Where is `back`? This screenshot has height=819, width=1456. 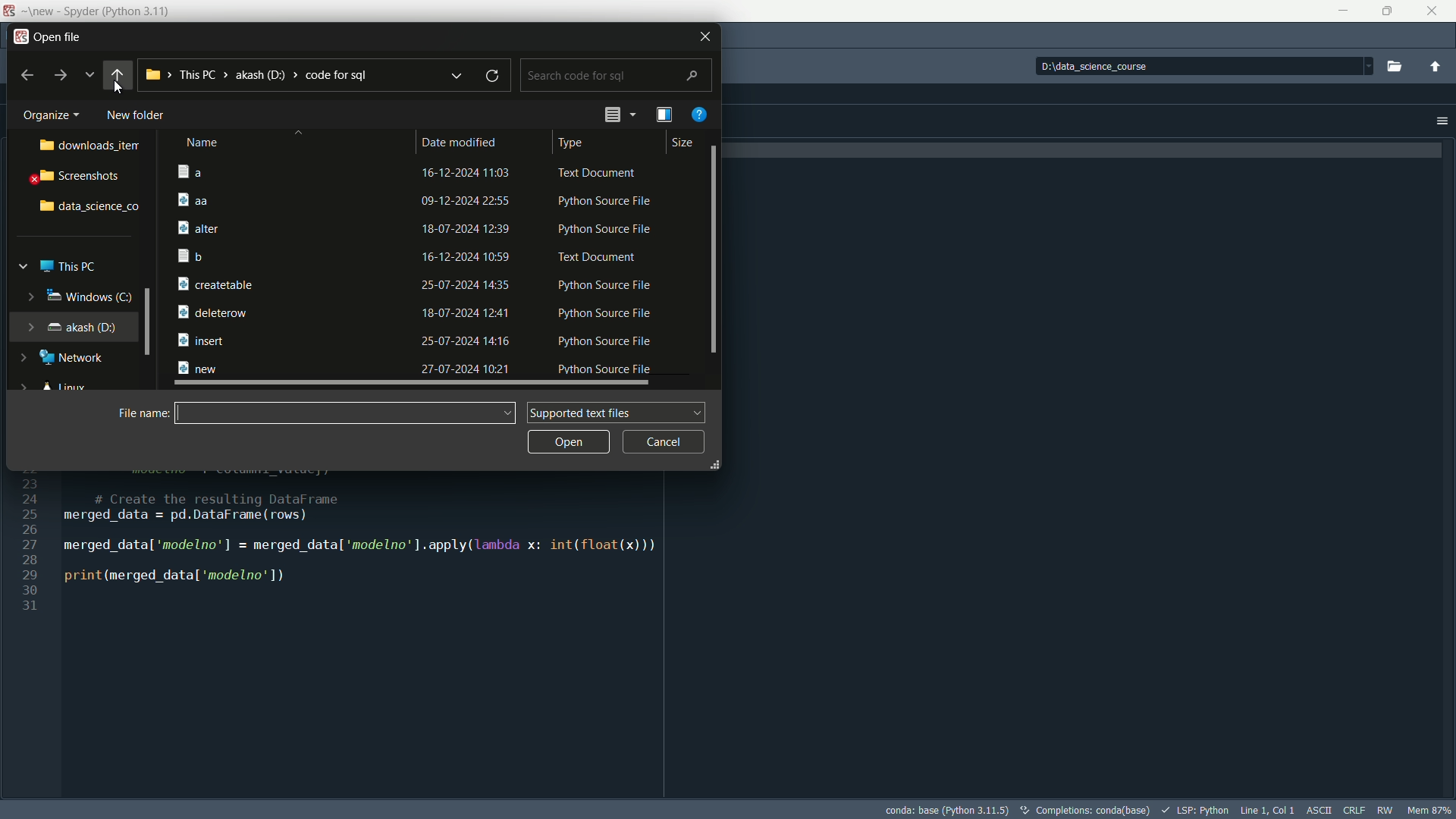
back is located at coordinates (23, 75).